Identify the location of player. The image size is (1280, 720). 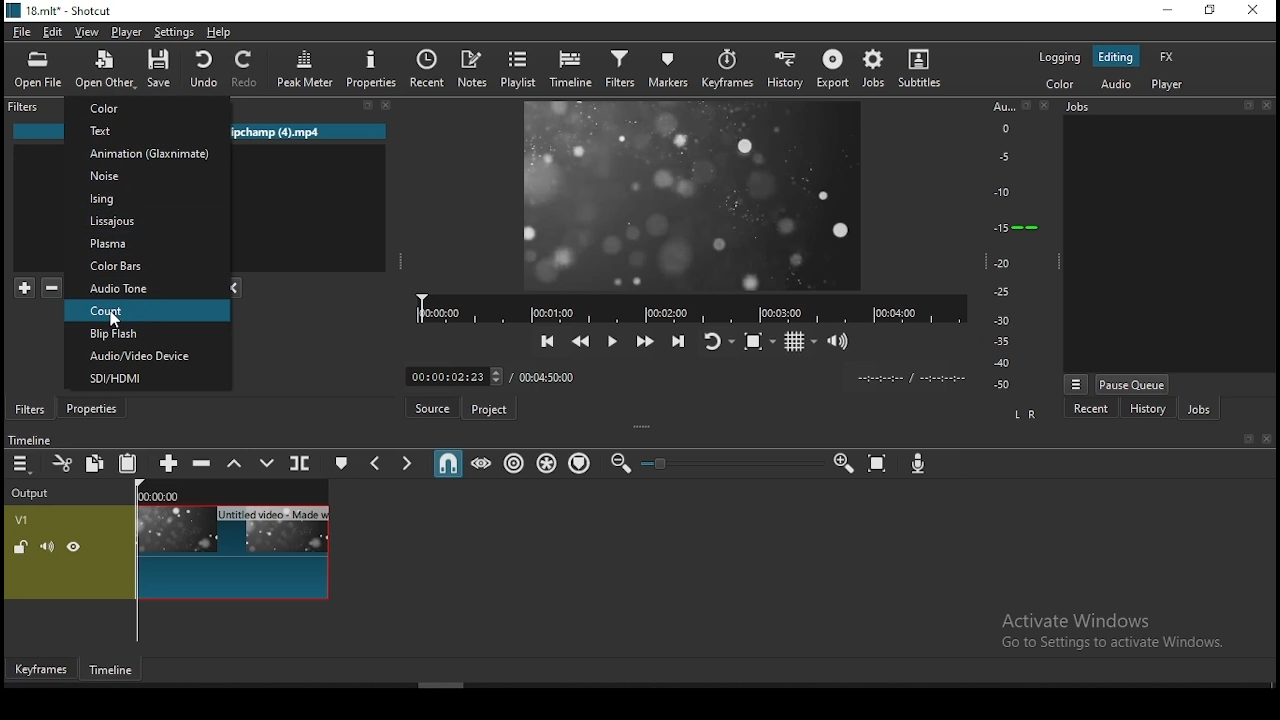
(1170, 86).